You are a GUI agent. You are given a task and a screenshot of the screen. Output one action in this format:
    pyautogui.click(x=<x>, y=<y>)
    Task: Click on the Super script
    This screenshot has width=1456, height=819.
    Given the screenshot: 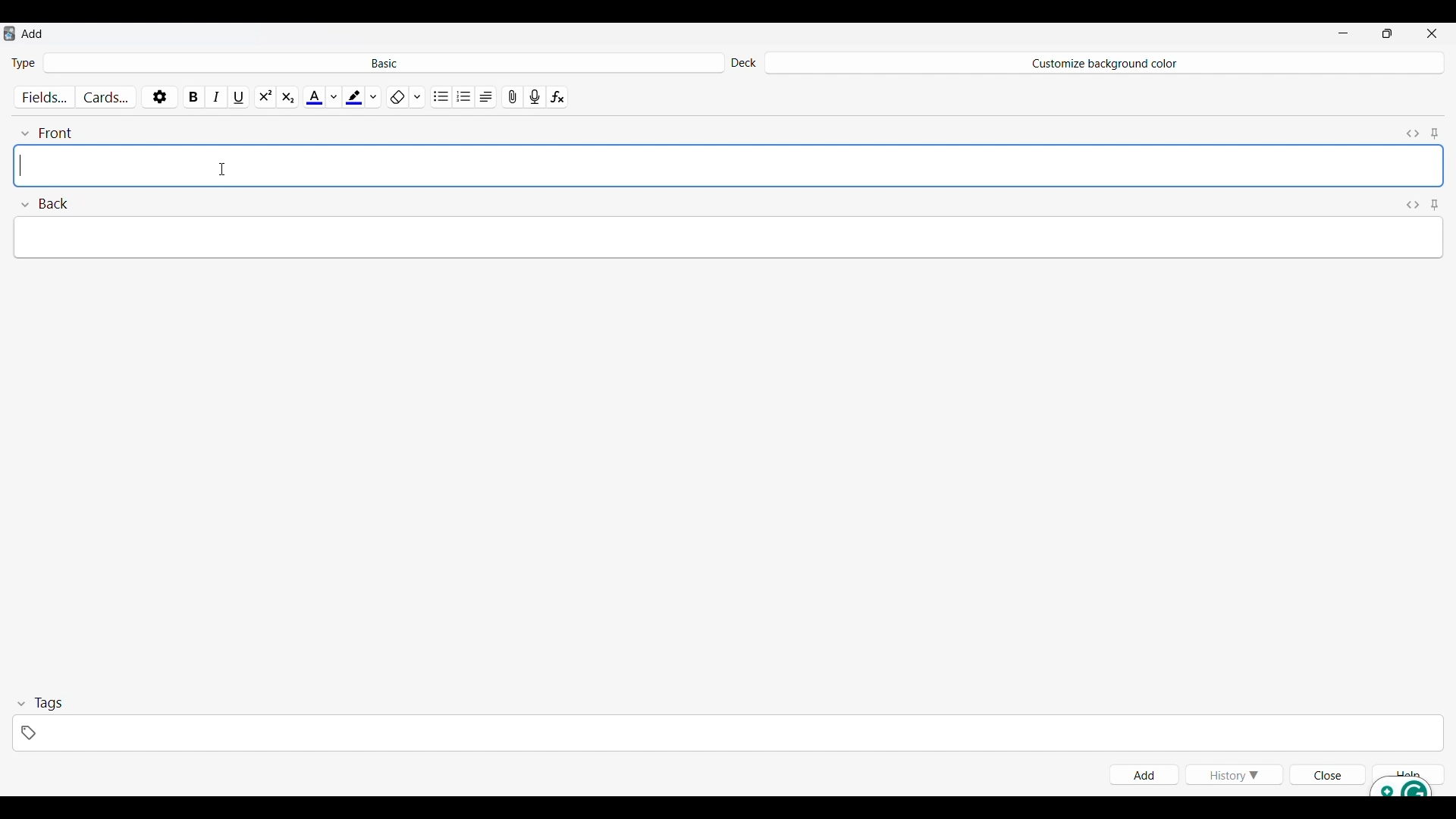 What is the action you would take?
    pyautogui.click(x=265, y=95)
    